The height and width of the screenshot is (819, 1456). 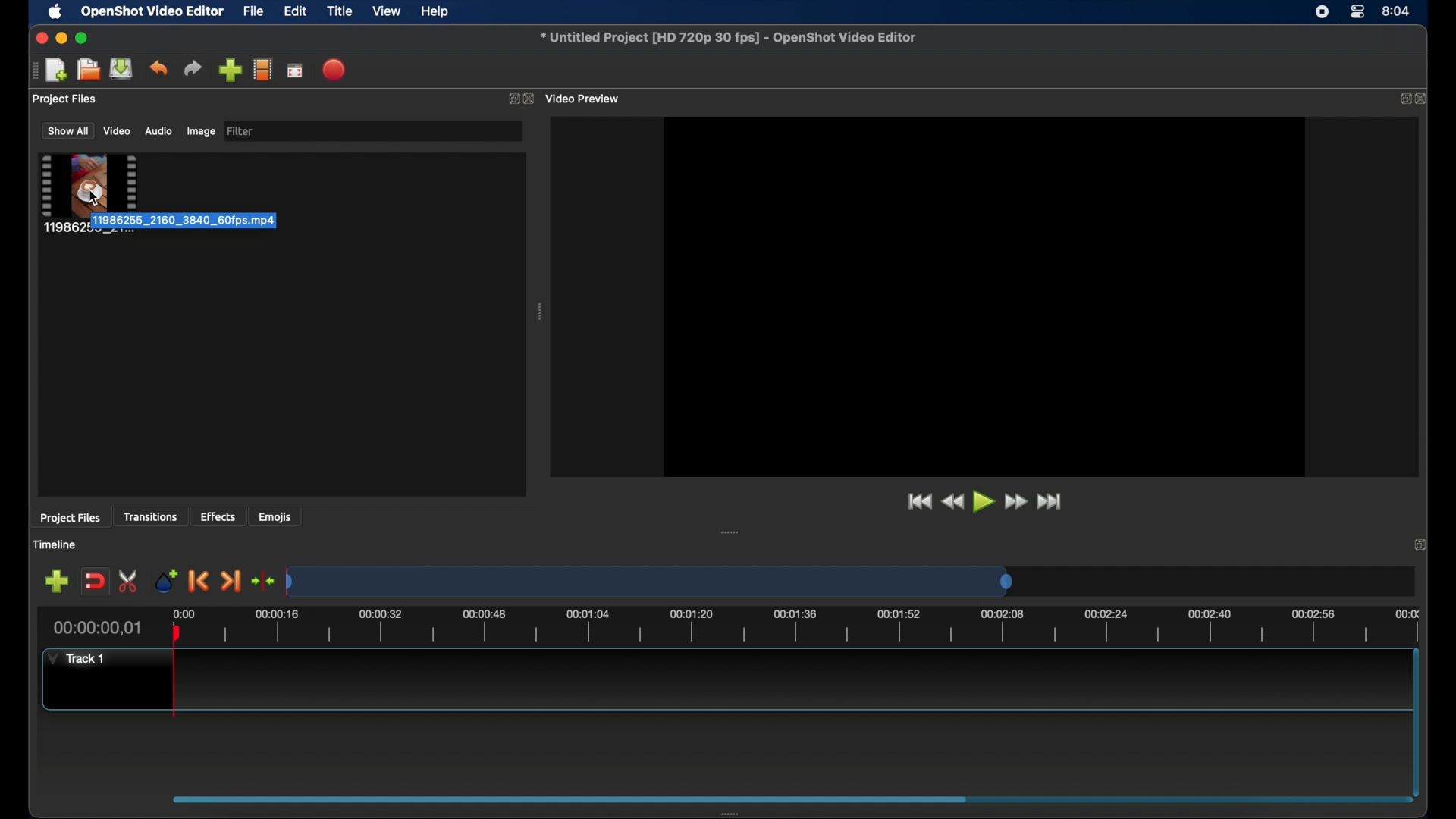 What do you see at coordinates (214, 221) in the screenshot?
I see `tooltip` at bounding box center [214, 221].